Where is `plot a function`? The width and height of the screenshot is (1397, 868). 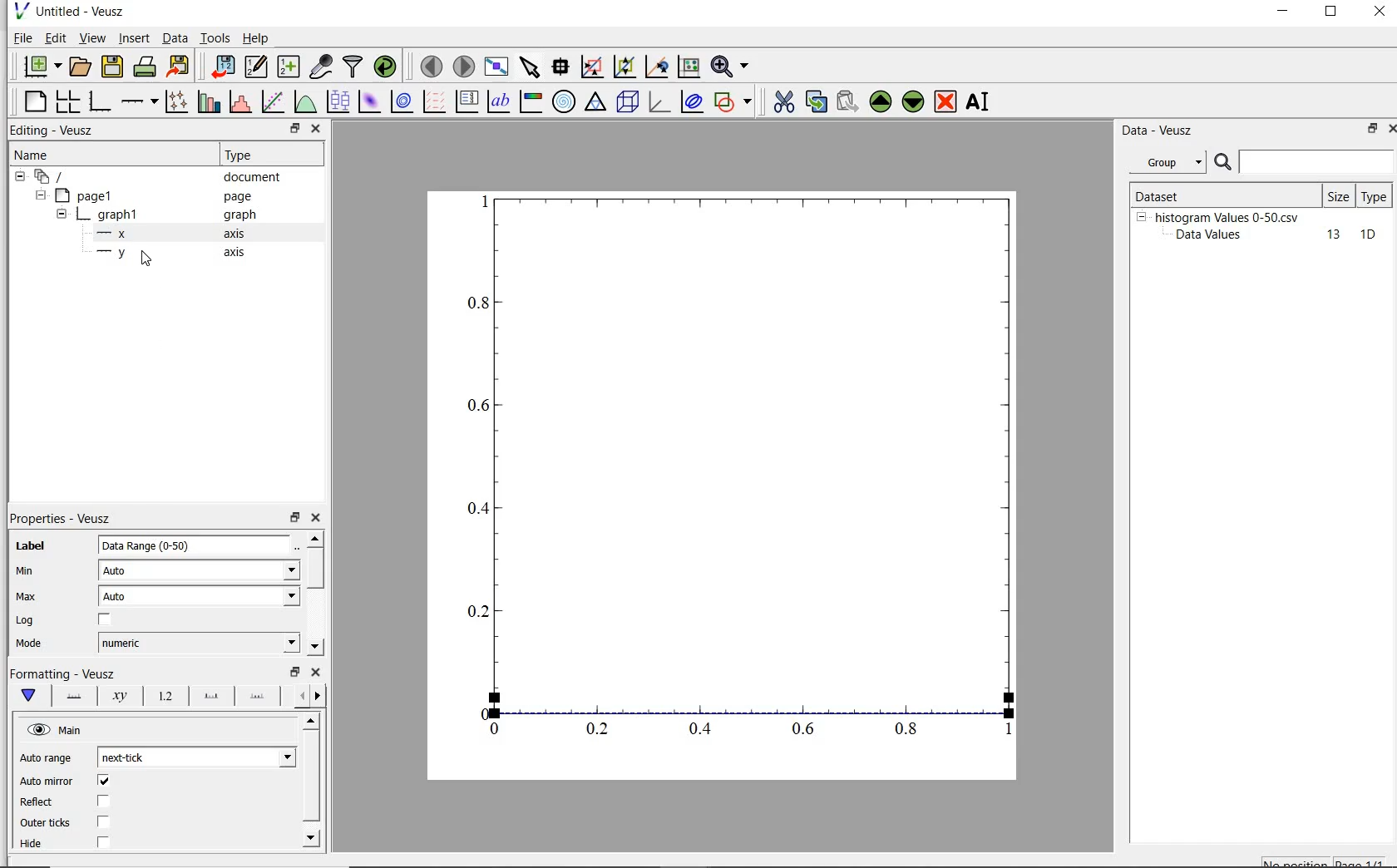
plot a function is located at coordinates (304, 101).